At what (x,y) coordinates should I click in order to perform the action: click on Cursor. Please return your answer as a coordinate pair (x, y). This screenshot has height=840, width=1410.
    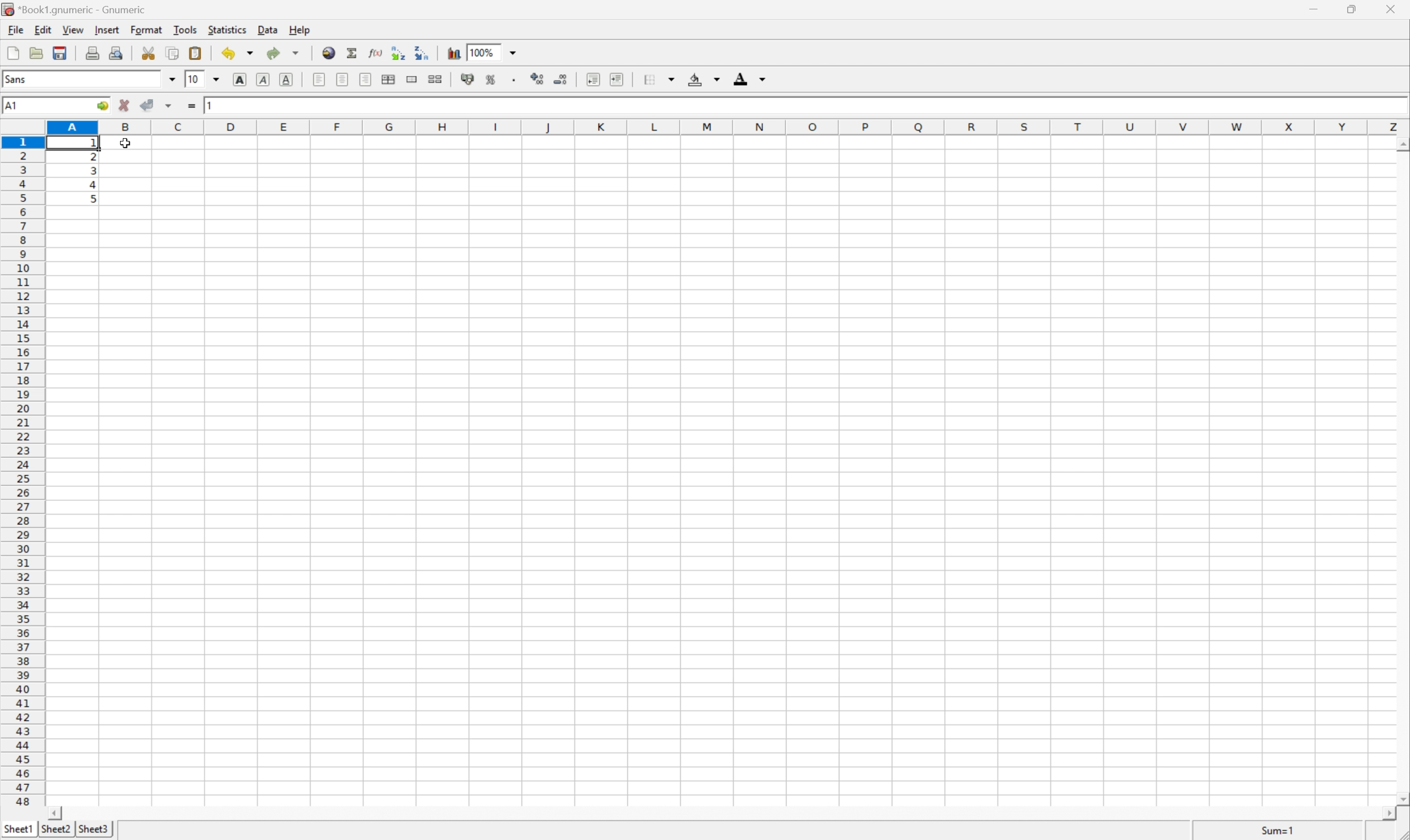
    Looking at the image, I should click on (125, 144).